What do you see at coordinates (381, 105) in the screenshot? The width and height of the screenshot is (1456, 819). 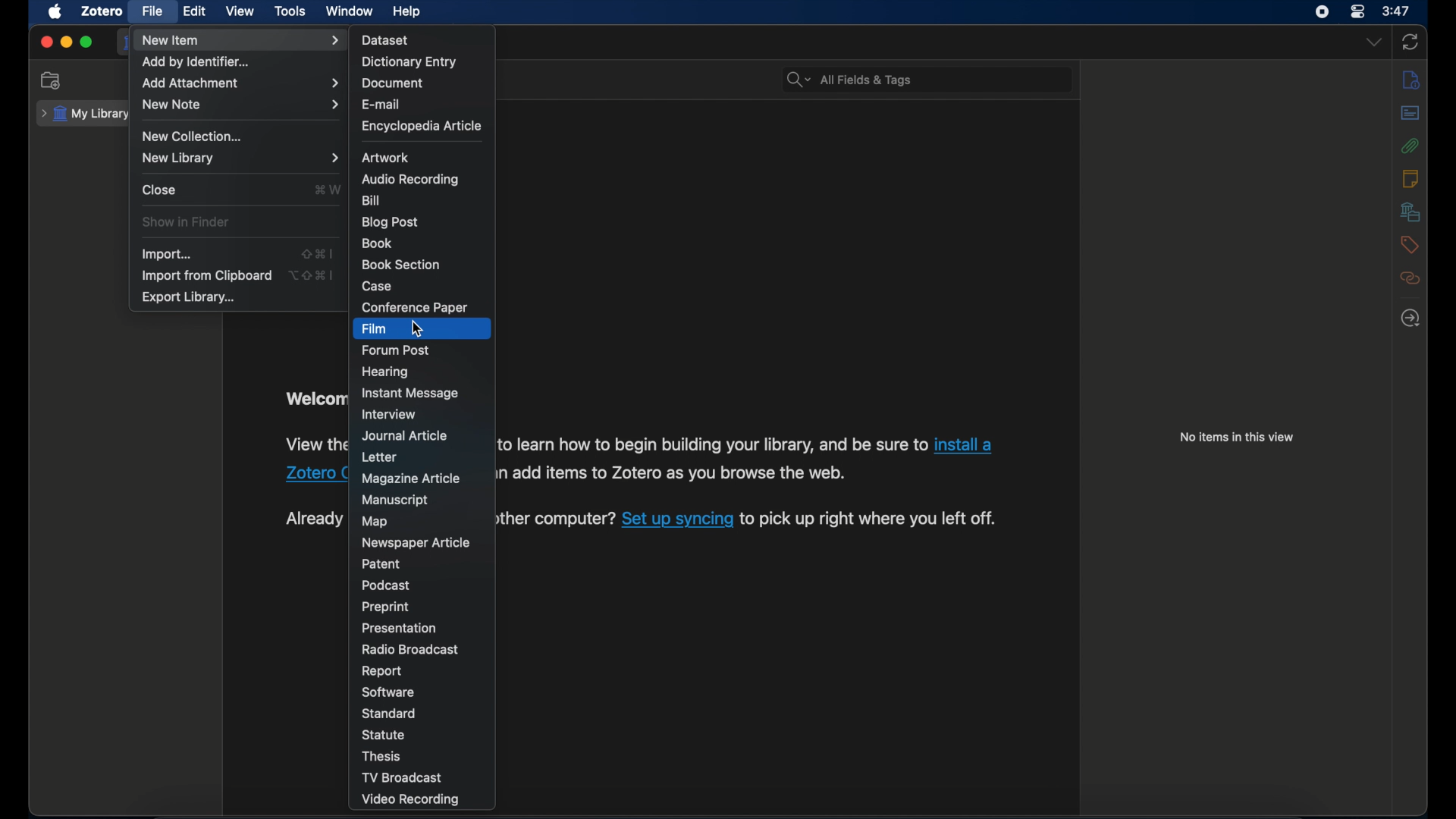 I see `e-mail` at bounding box center [381, 105].